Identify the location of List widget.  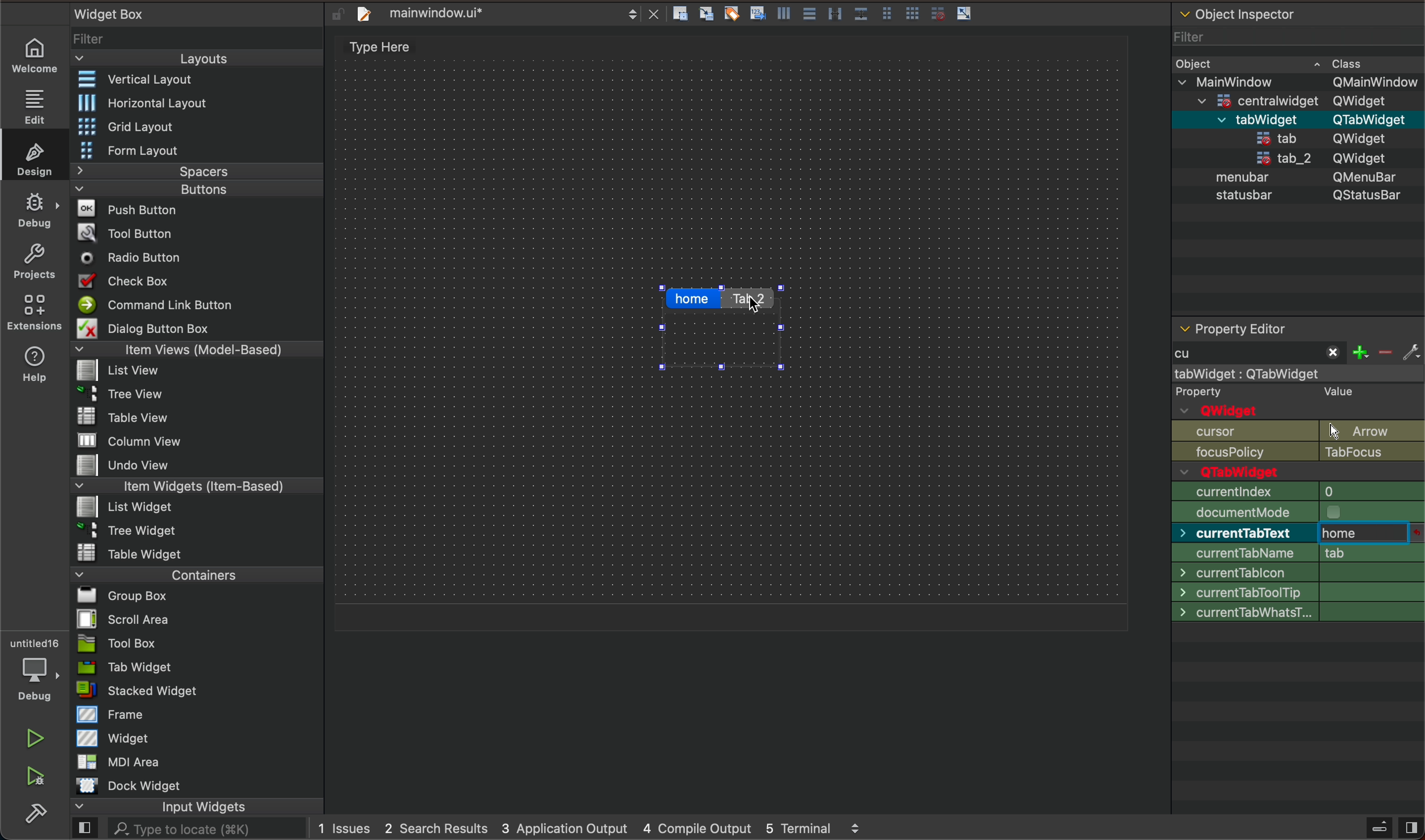
(119, 507).